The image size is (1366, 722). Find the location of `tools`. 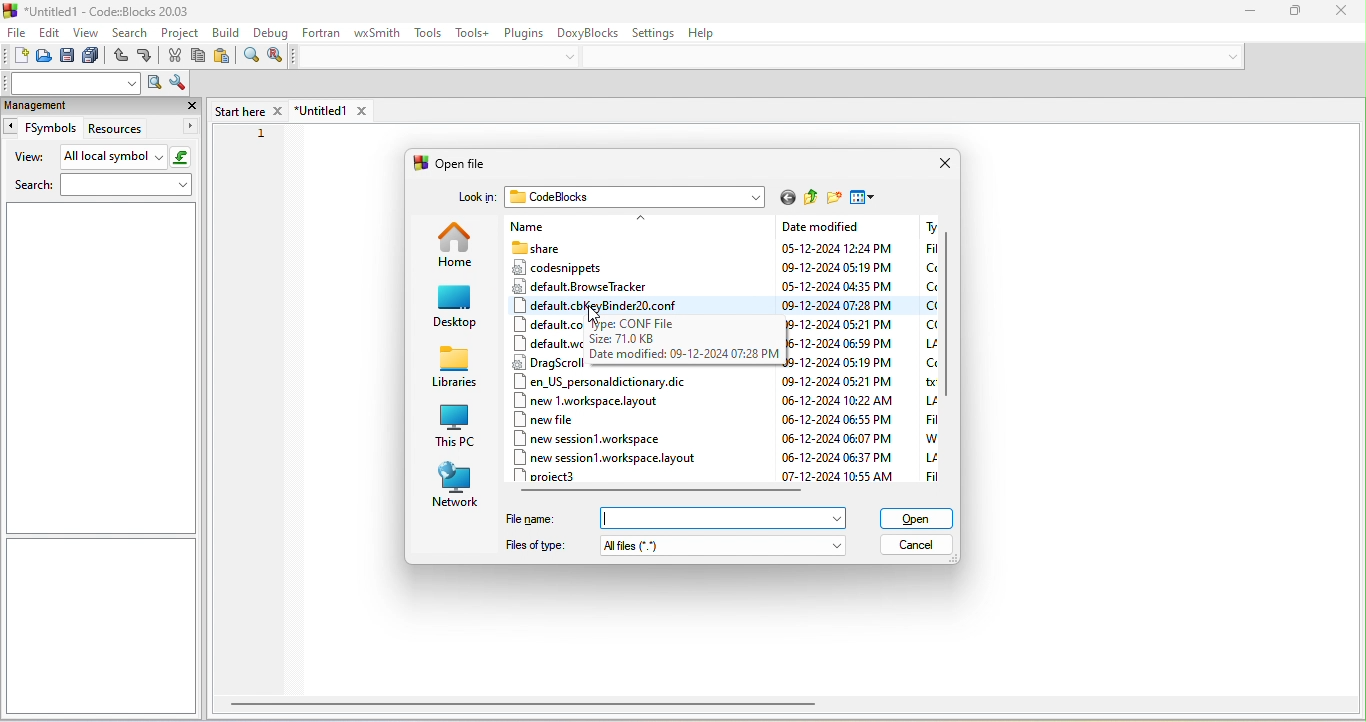

tools is located at coordinates (426, 33).